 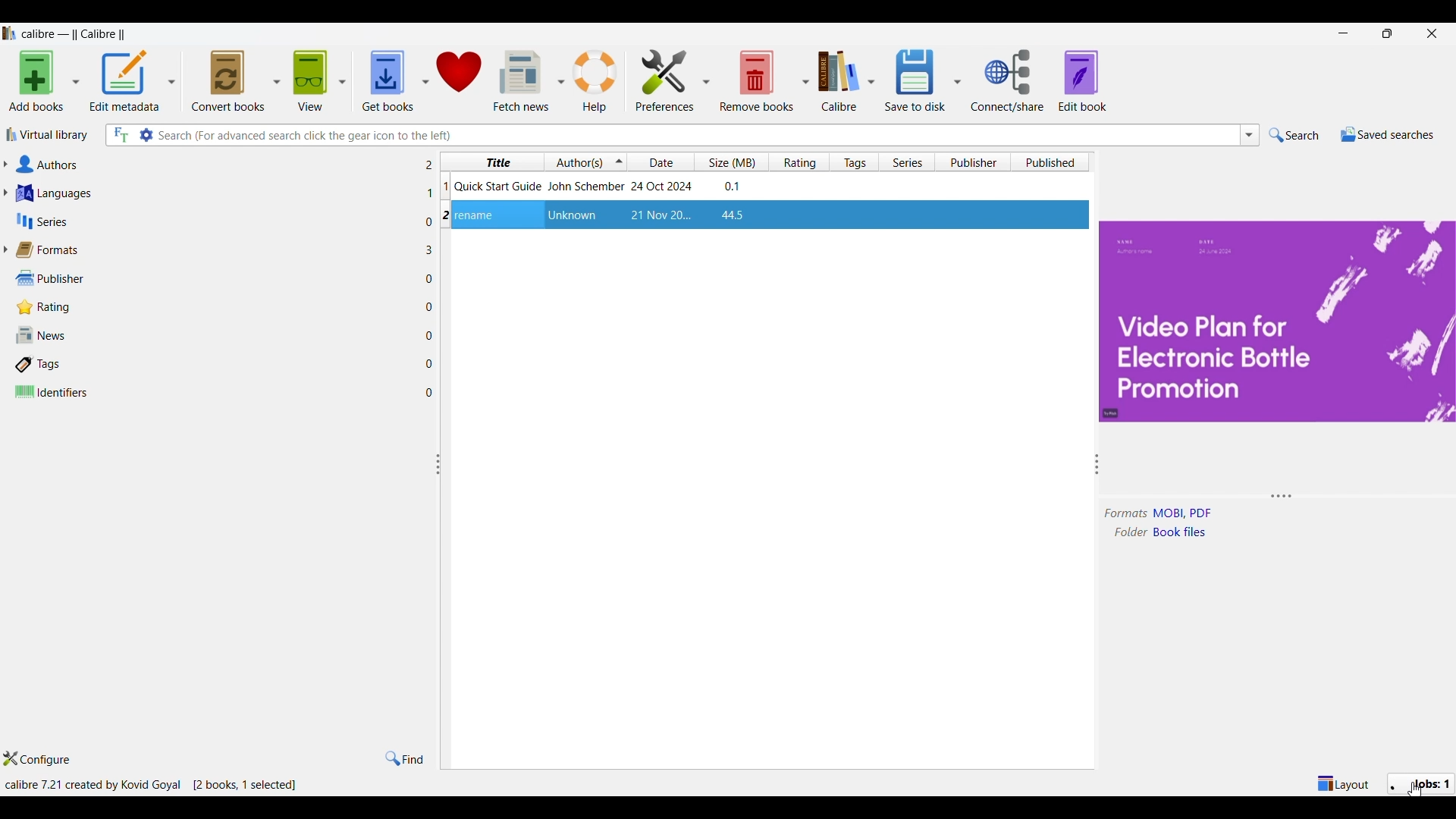 I want to click on Date column, so click(x=661, y=162).